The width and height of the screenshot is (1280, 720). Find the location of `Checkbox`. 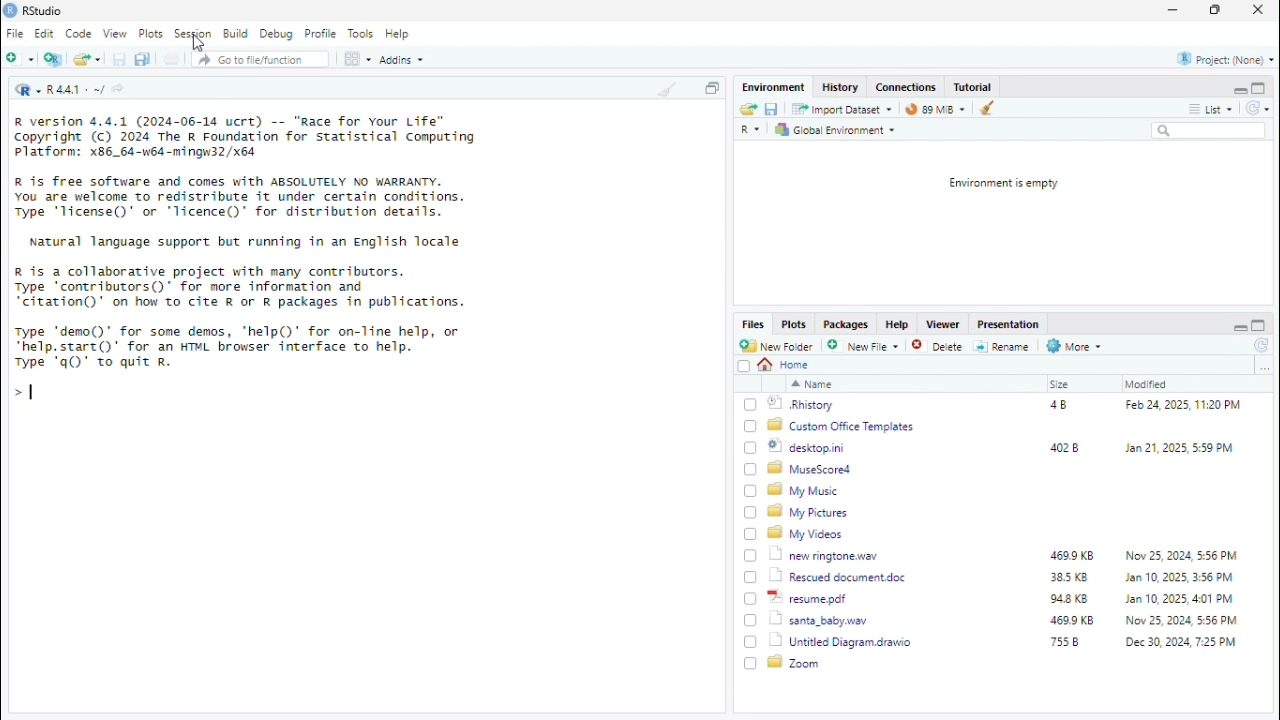

Checkbox is located at coordinates (751, 578).